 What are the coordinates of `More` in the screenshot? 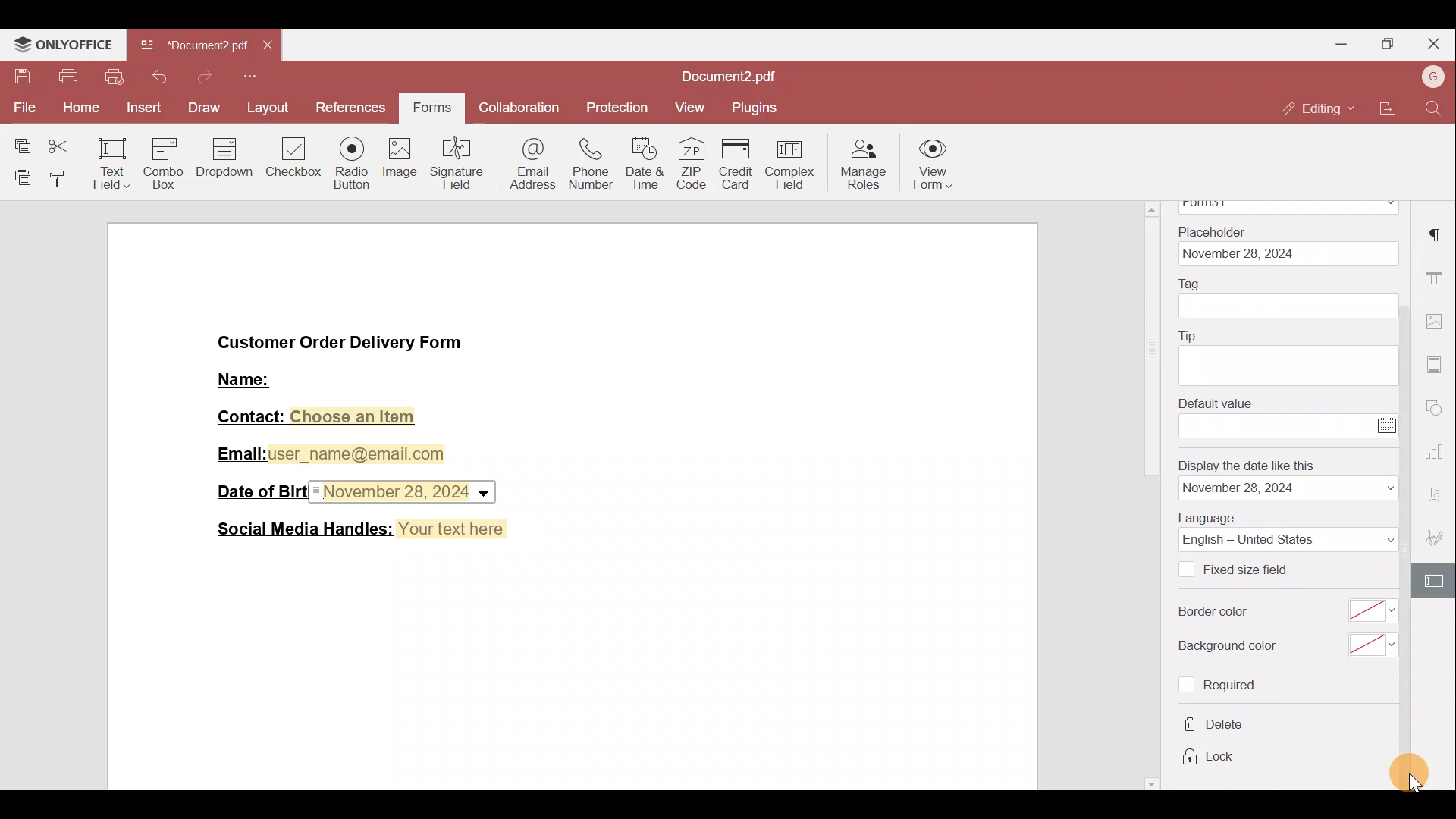 It's located at (253, 78).